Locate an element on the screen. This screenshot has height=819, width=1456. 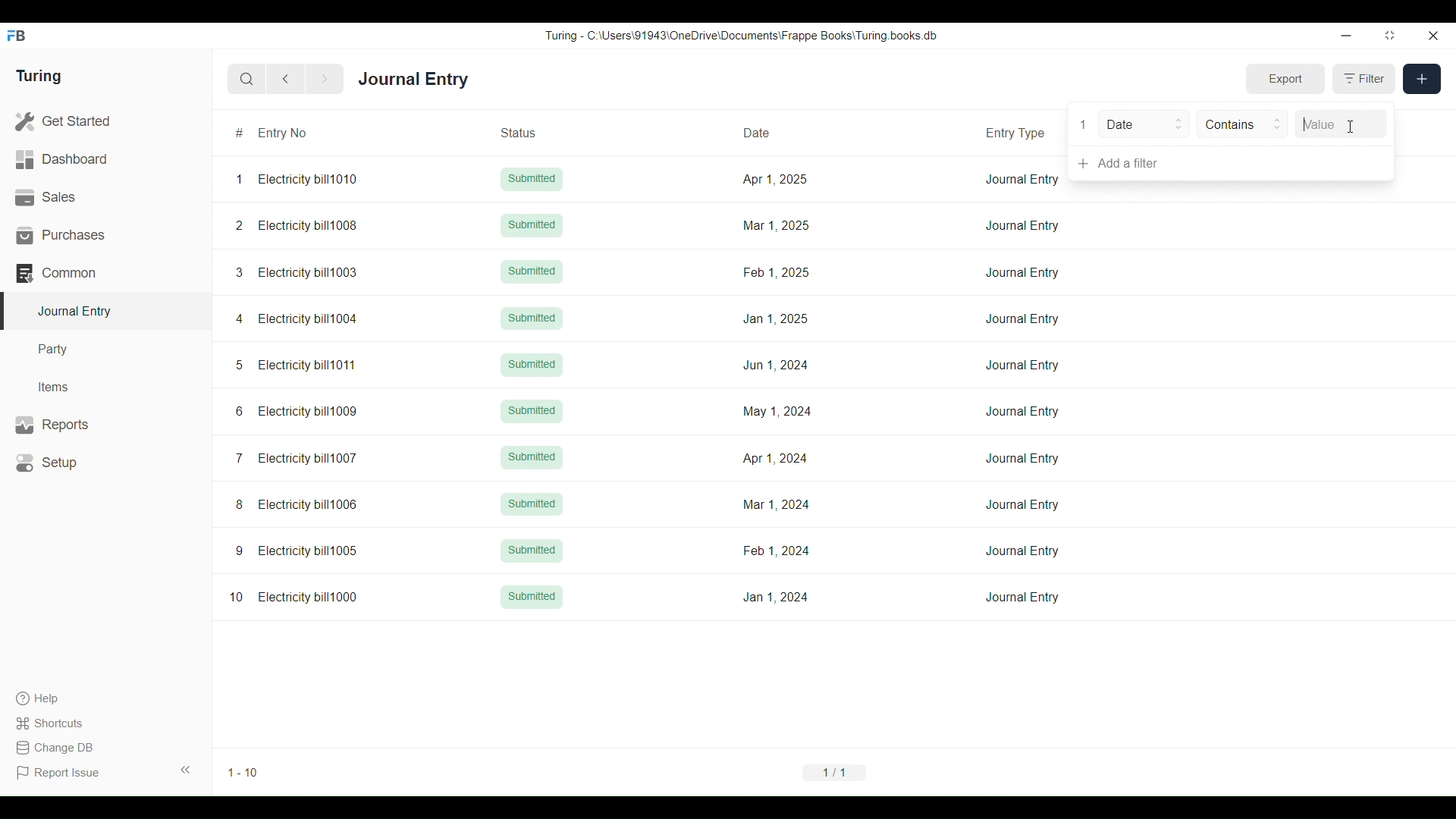
Submitted is located at coordinates (532, 412).